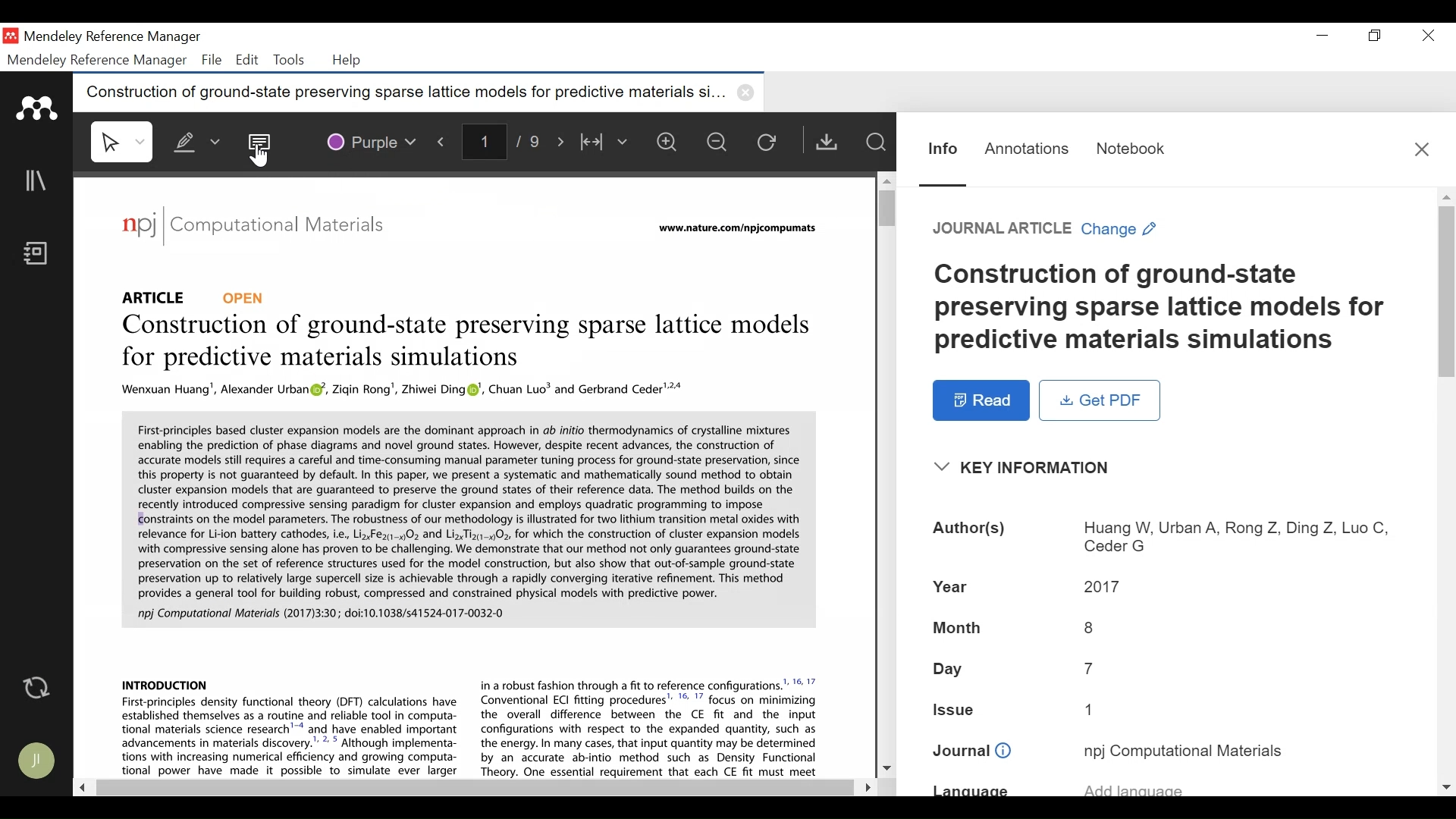 The height and width of the screenshot is (819, 1456). I want to click on Library, so click(38, 181).